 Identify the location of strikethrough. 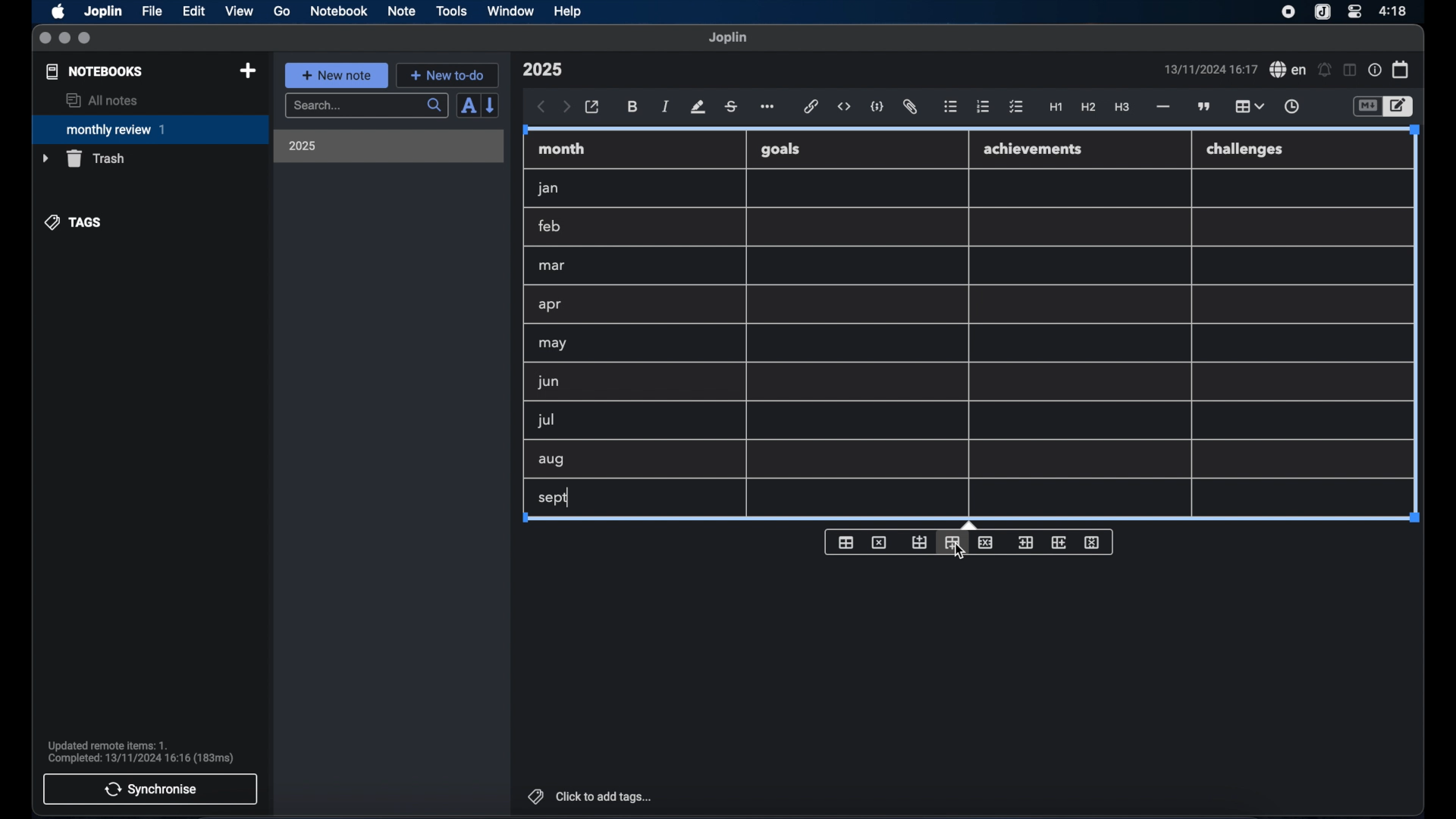
(730, 107).